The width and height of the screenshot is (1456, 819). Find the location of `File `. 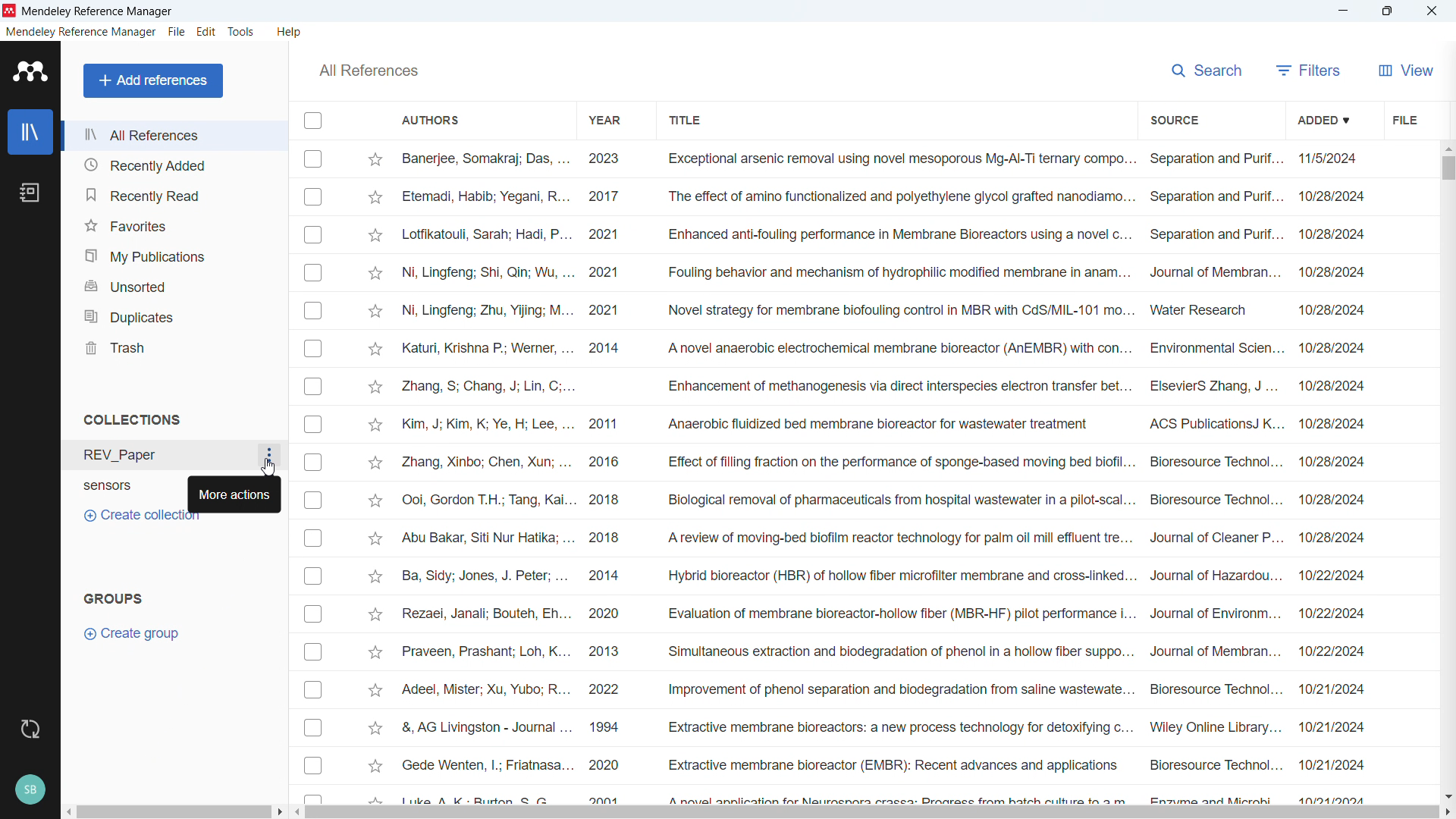

File  is located at coordinates (177, 31).